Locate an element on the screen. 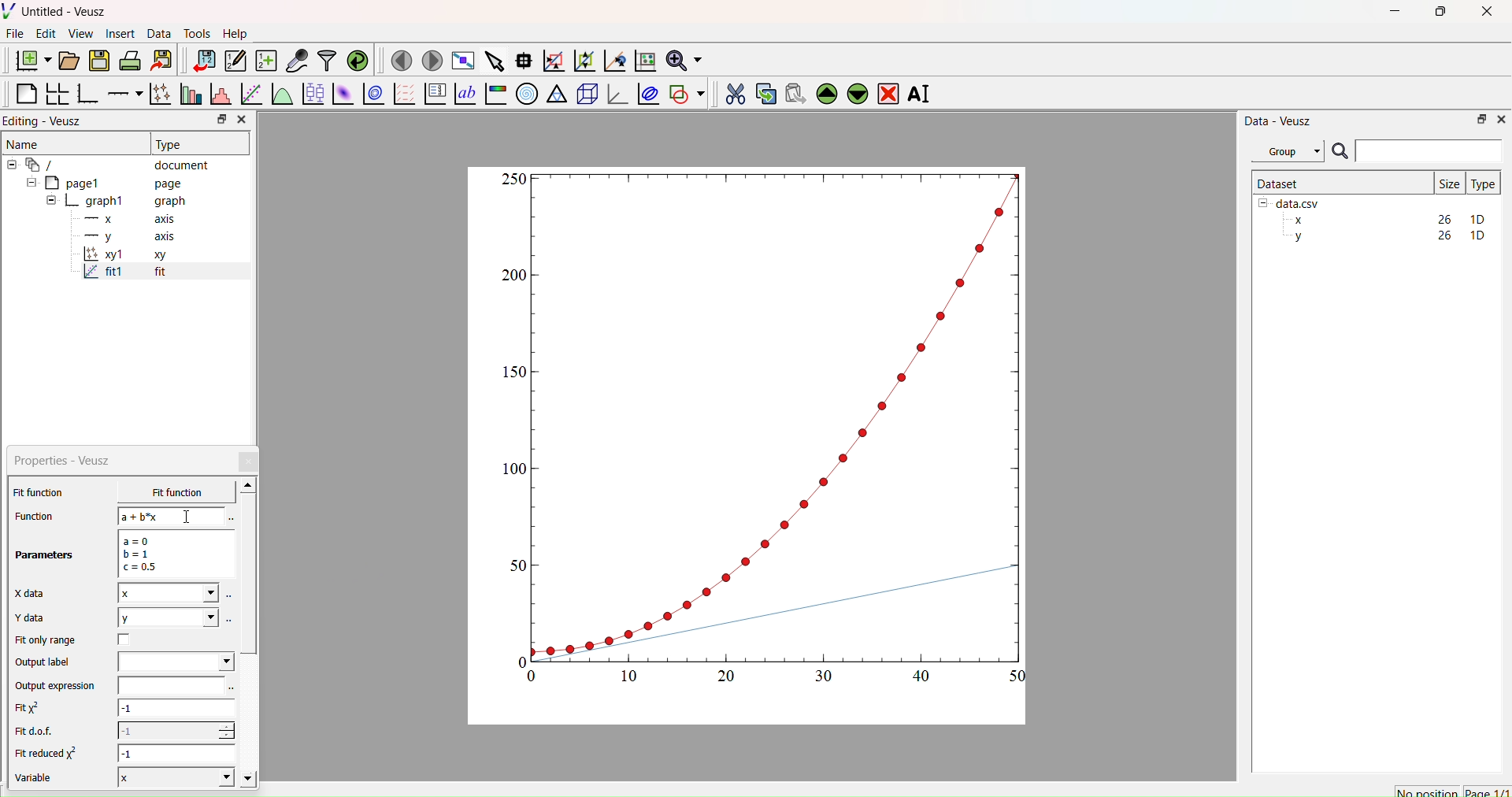 This screenshot has height=797, width=1512. Read data points is located at coordinates (522, 58).